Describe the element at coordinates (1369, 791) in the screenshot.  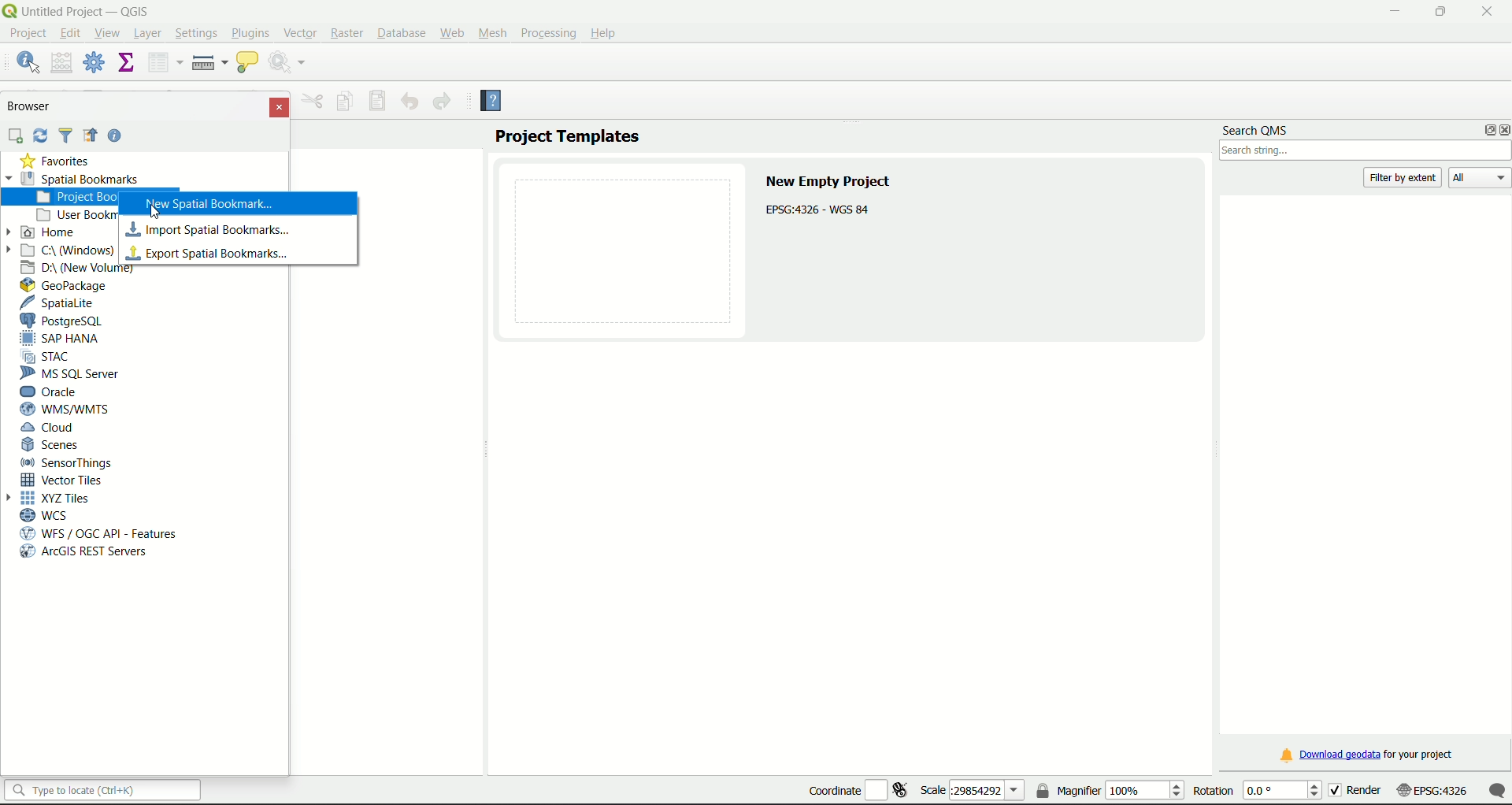
I see `render` at that location.